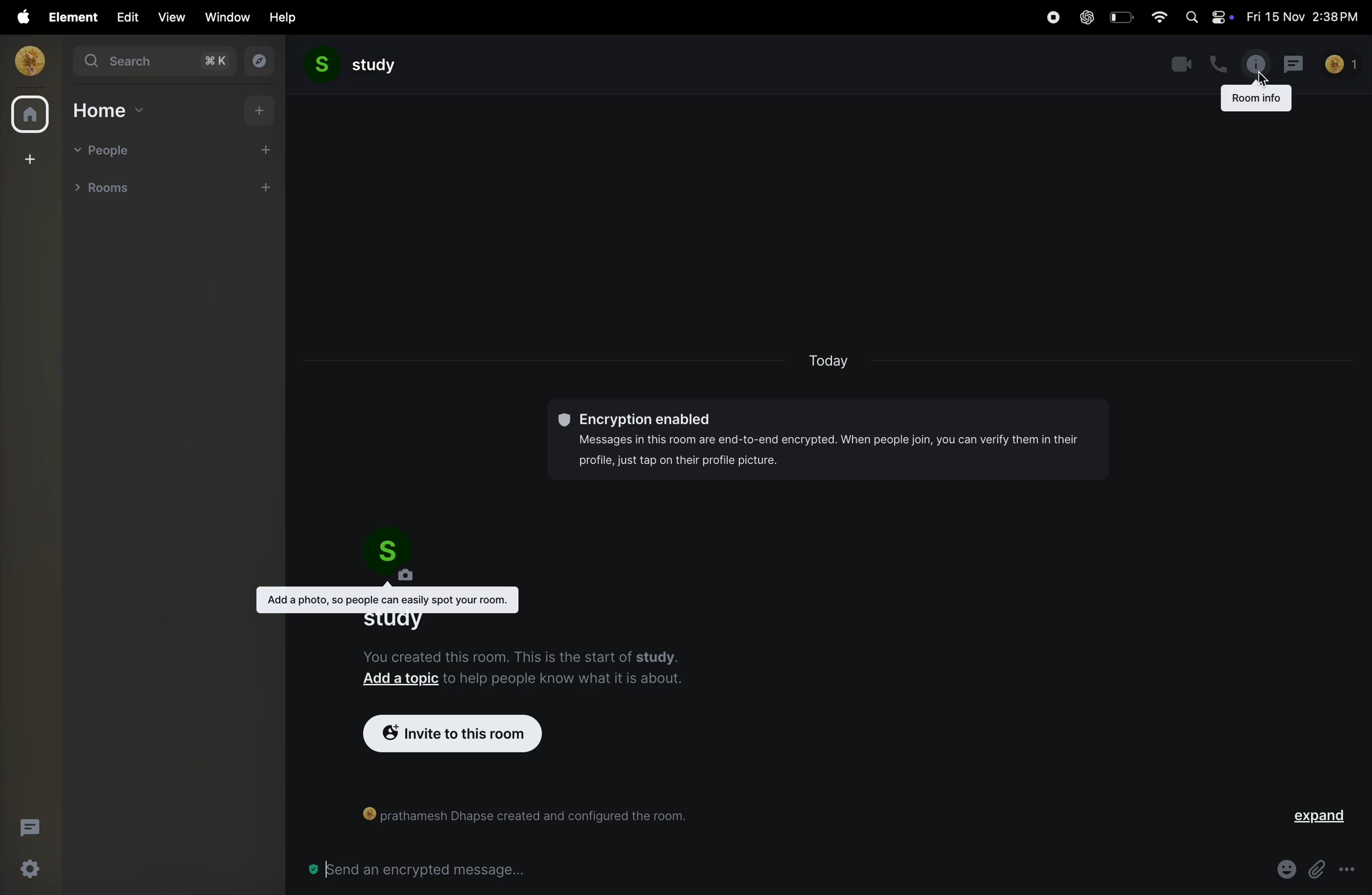 This screenshot has height=895, width=1372. What do you see at coordinates (19, 17) in the screenshot?
I see `apple menu` at bounding box center [19, 17].